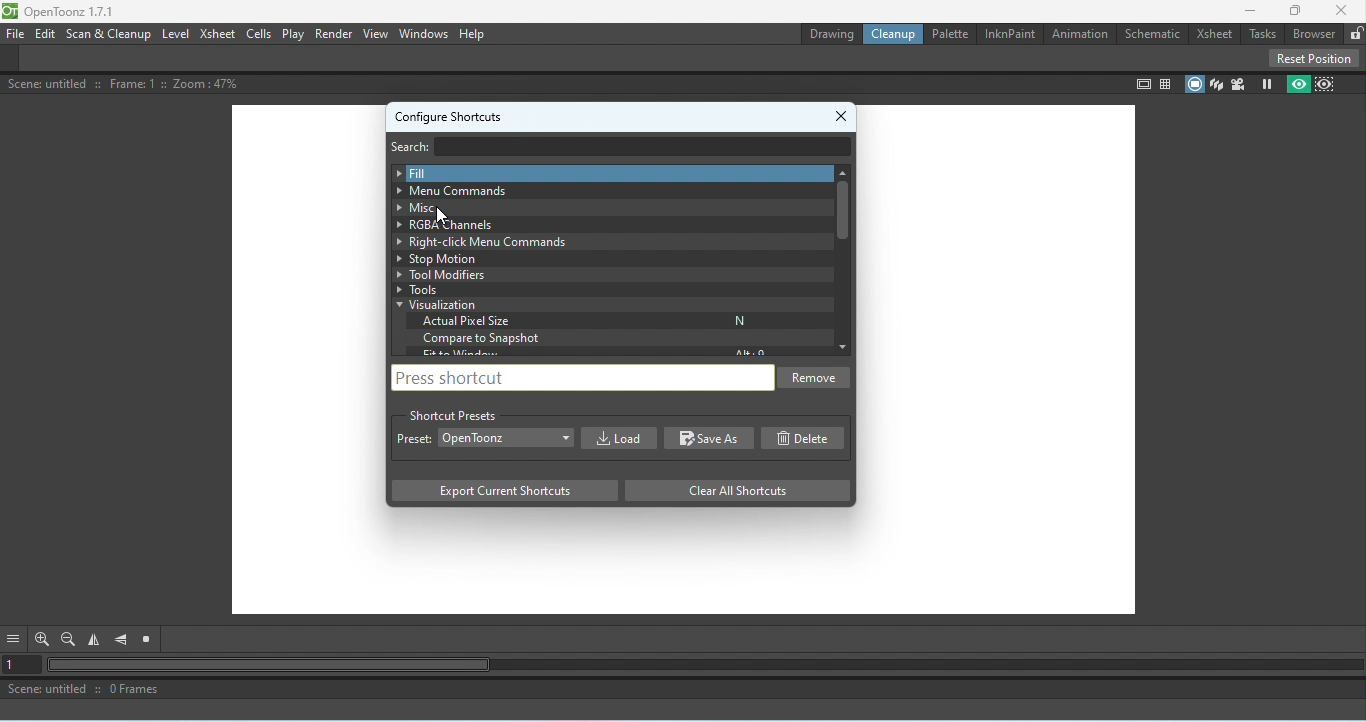  What do you see at coordinates (1150, 33) in the screenshot?
I see `Schematic` at bounding box center [1150, 33].